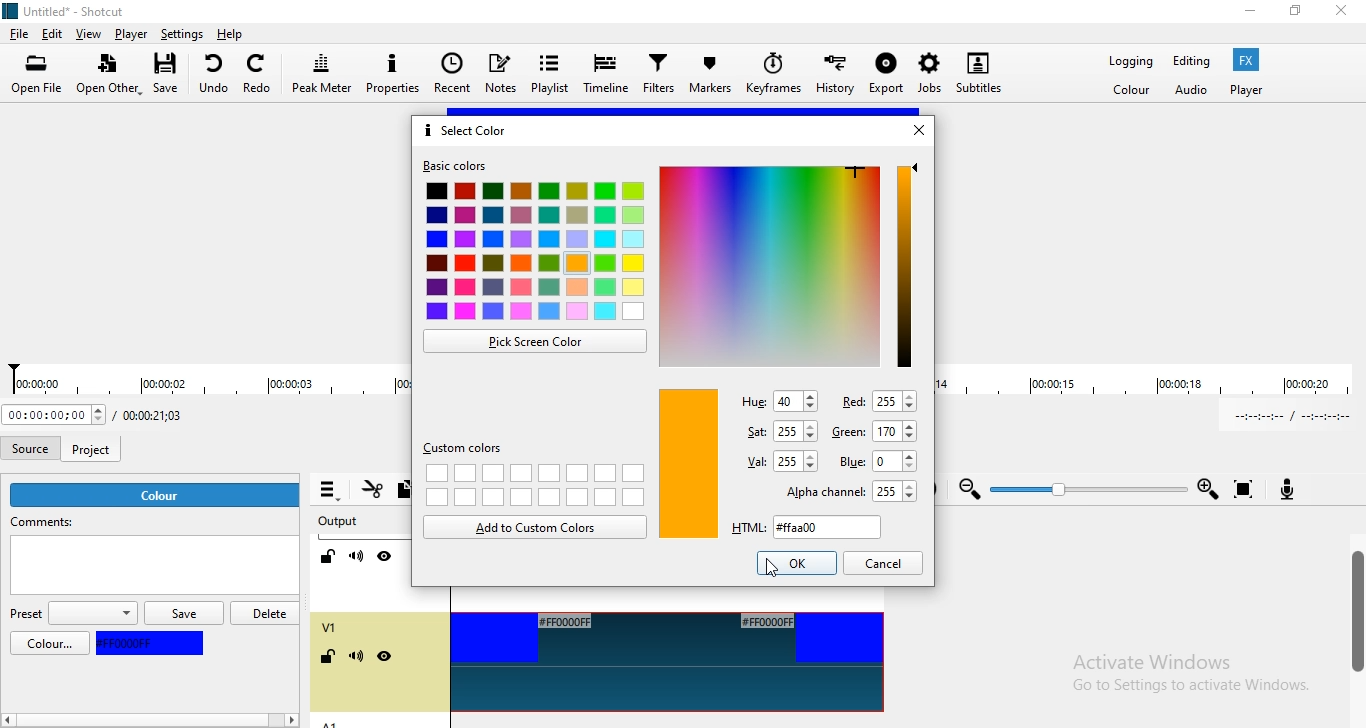 This screenshot has width=1366, height=728. I want to click on Peak meter, so click(323, 72).